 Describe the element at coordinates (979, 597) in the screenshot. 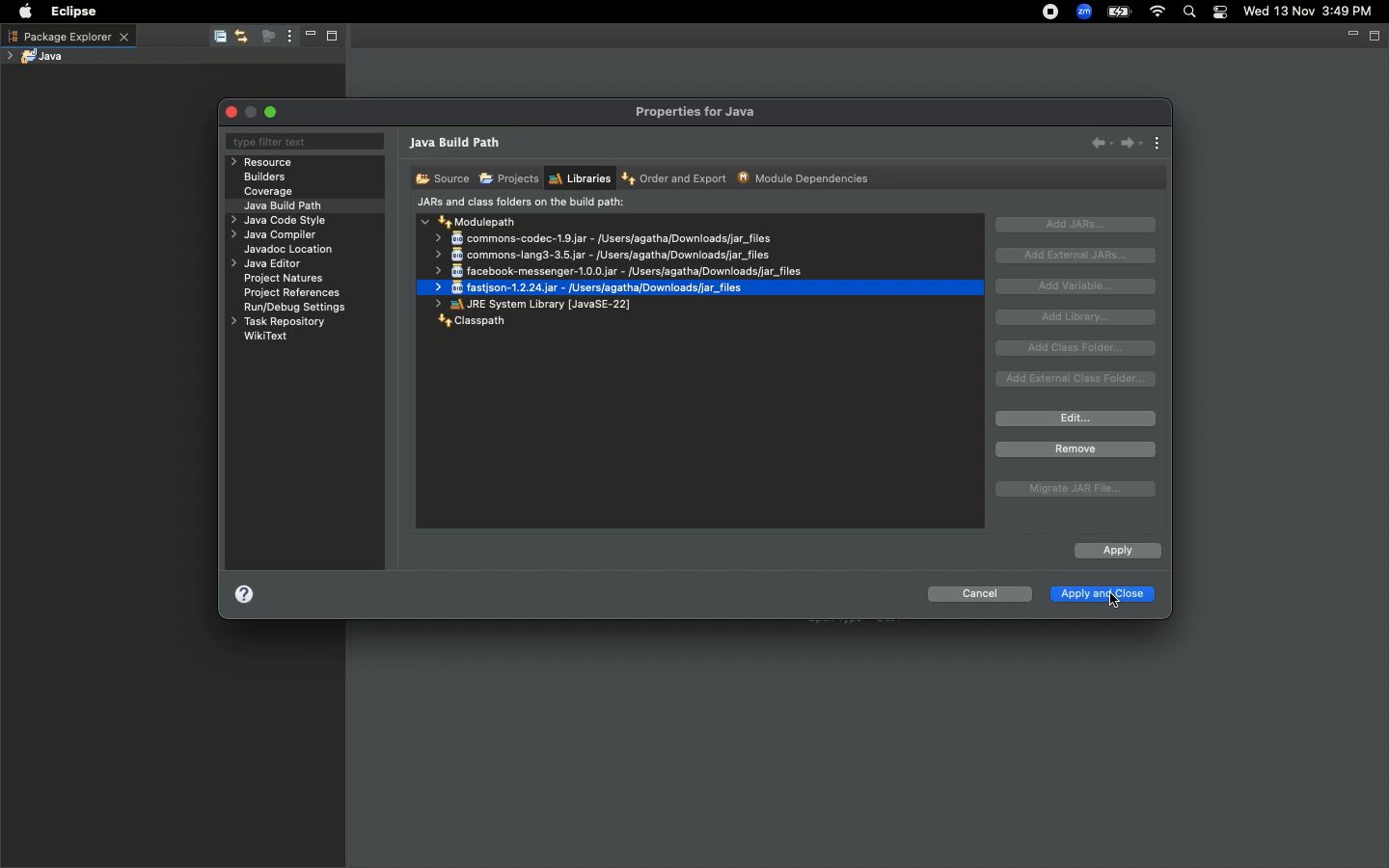

I see `Cancel` at that location.